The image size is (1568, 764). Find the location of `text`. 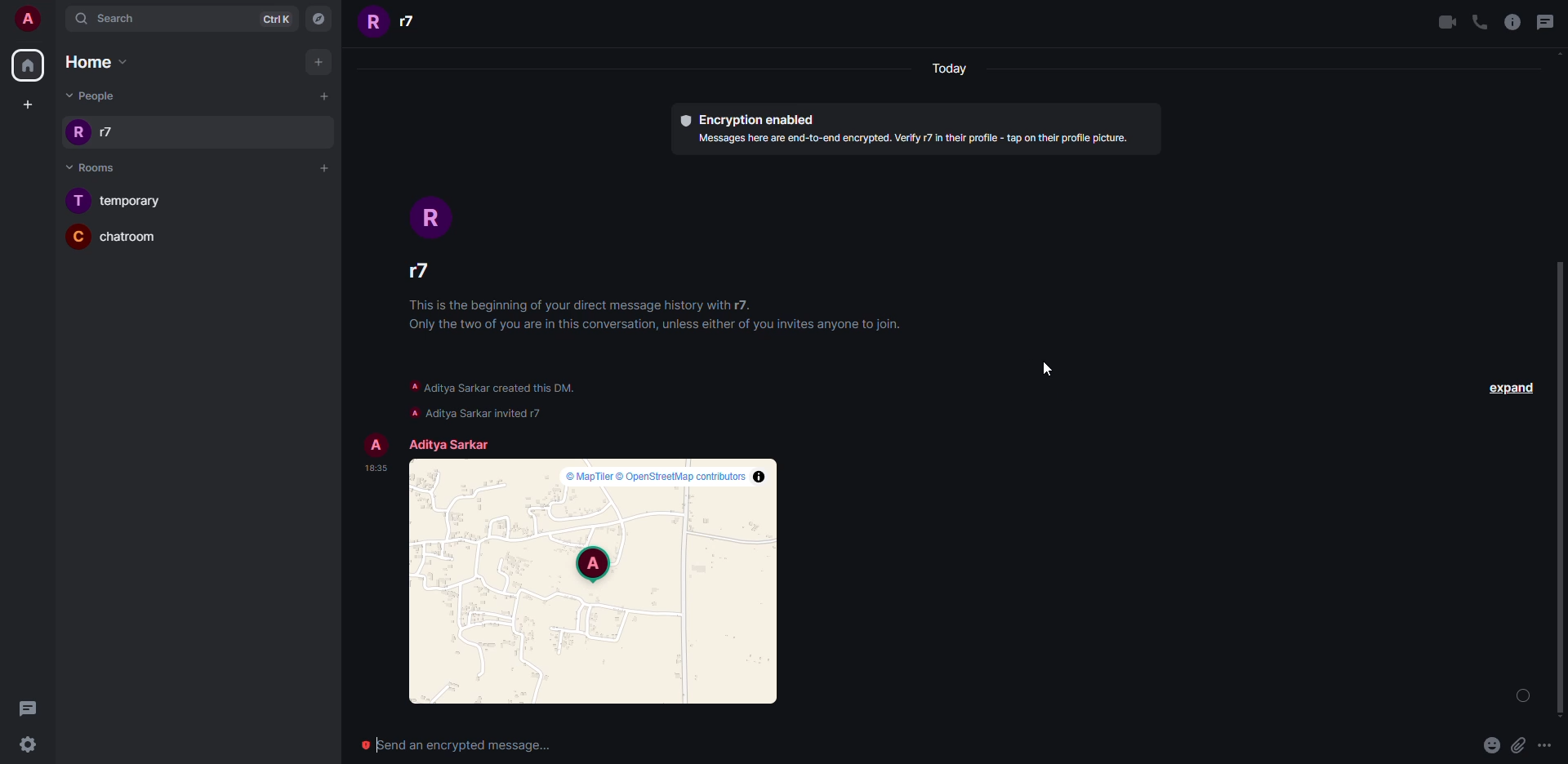

text is located at coordinates (906, 140).